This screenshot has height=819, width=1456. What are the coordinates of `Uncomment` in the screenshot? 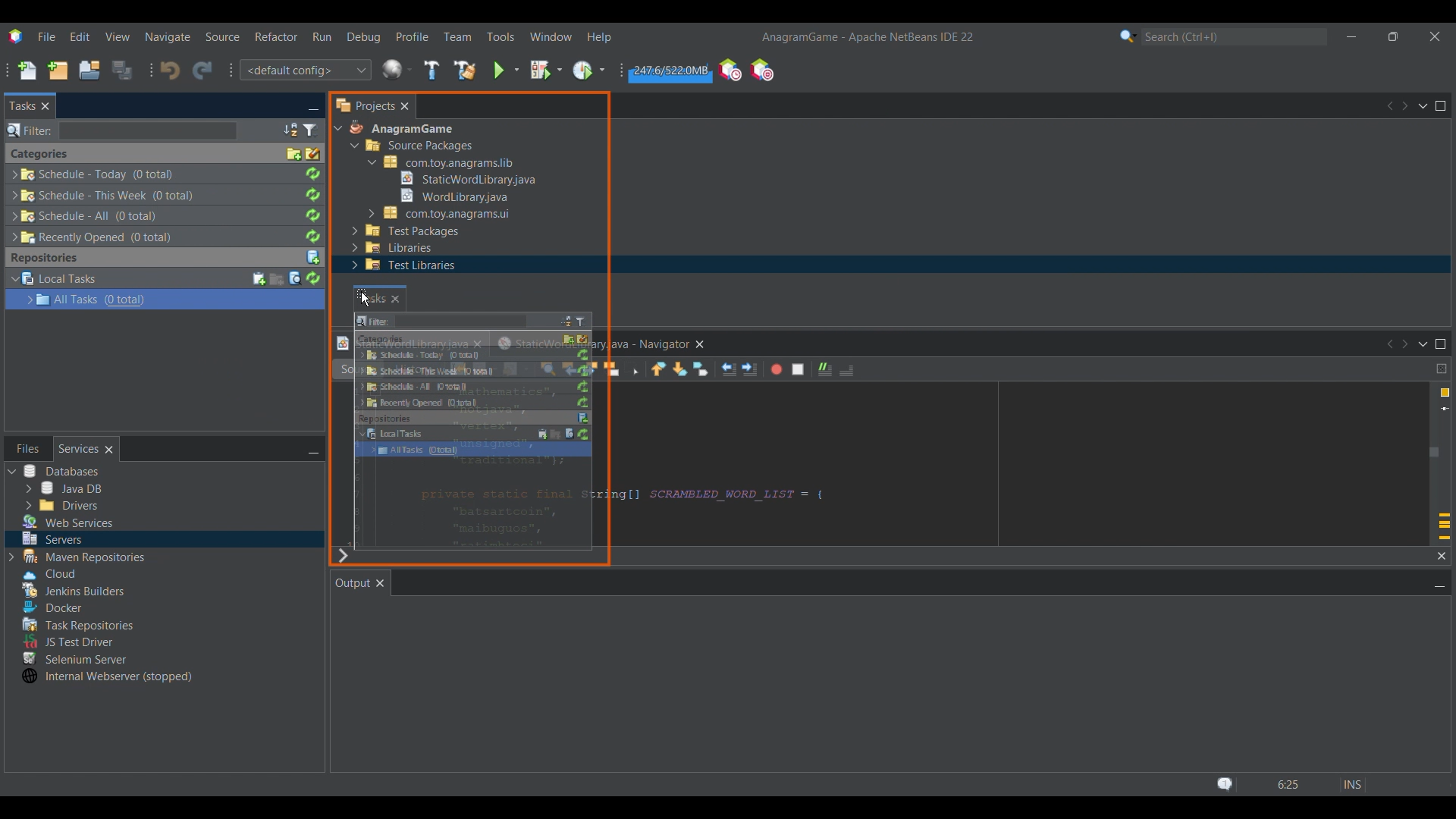 It's located at (846, 370).